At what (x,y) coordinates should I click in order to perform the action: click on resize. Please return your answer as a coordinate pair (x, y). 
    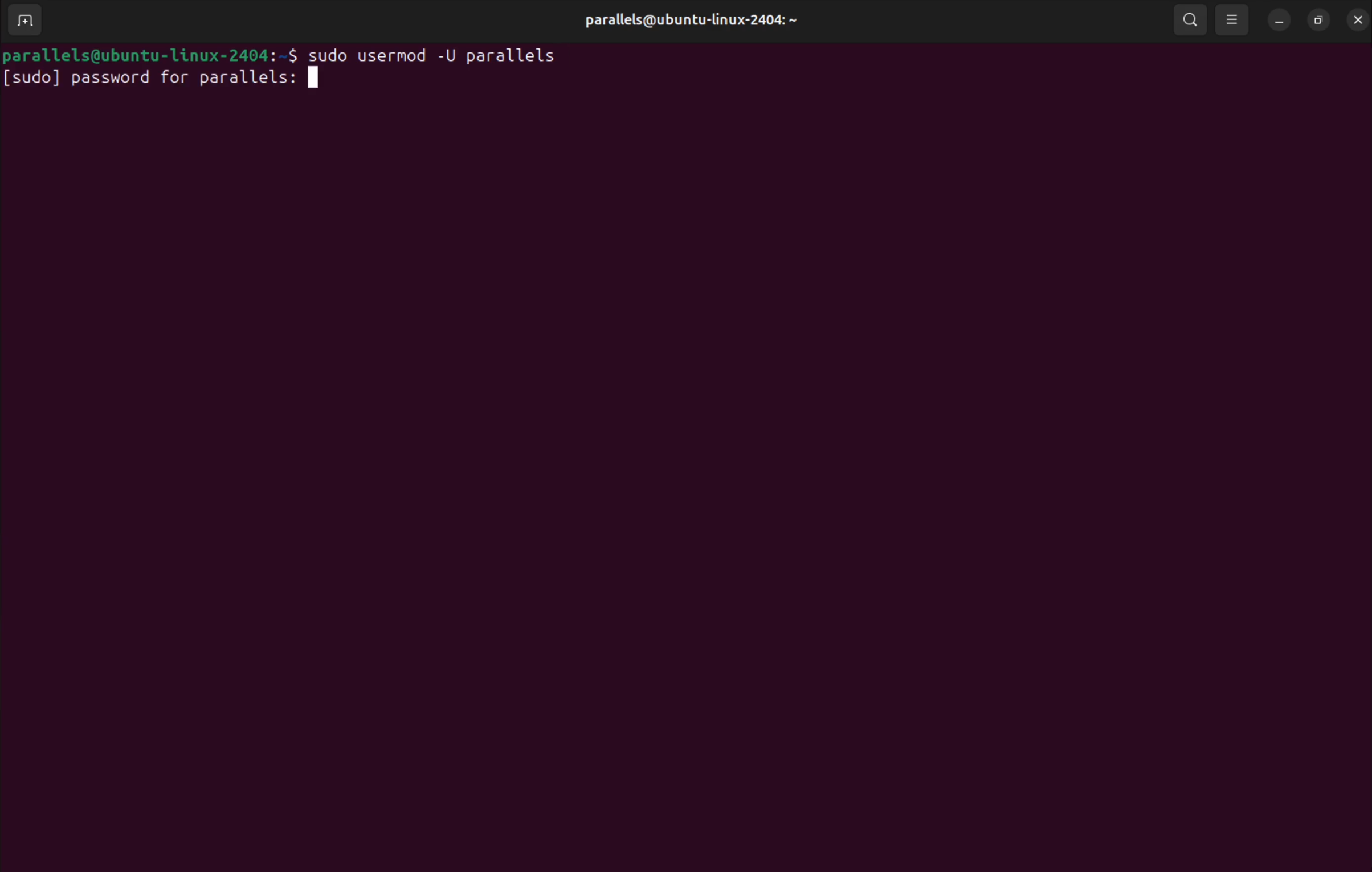
    Looking at the image, I should click on (1317, 18).